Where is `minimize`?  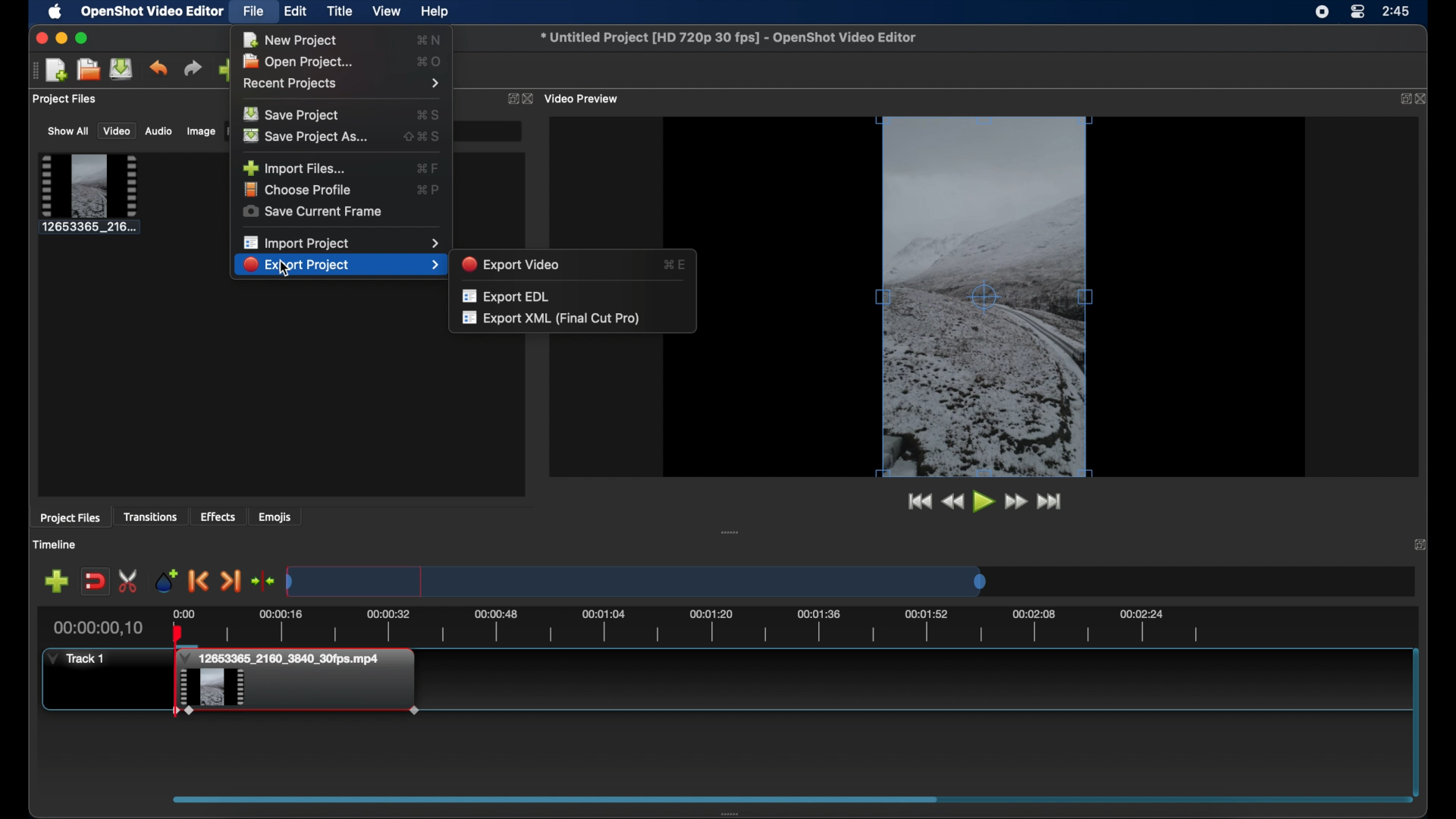
minimize is located at coordinates (61, 38).